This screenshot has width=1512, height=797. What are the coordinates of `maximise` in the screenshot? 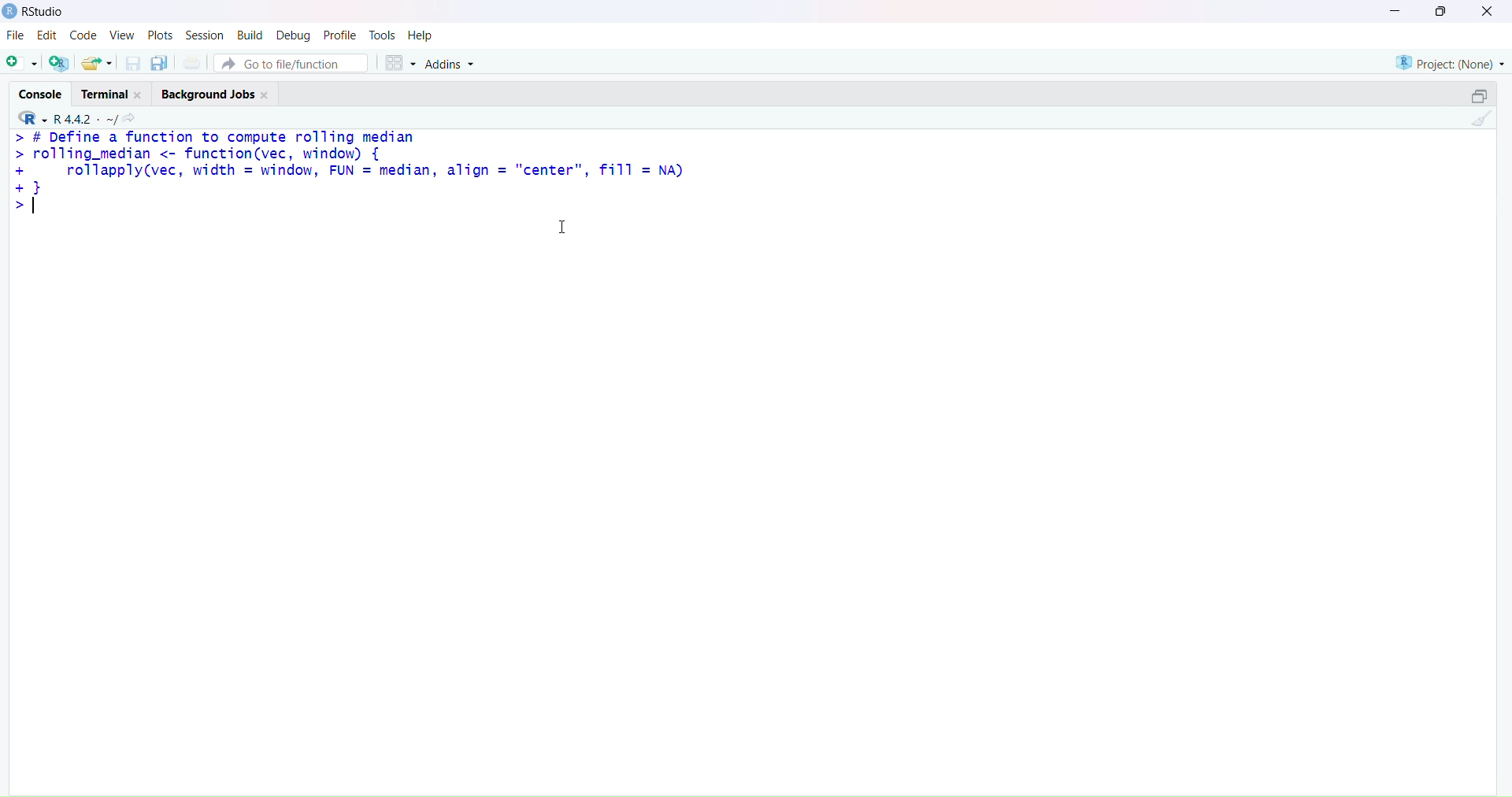 It's located at (1440, 11).